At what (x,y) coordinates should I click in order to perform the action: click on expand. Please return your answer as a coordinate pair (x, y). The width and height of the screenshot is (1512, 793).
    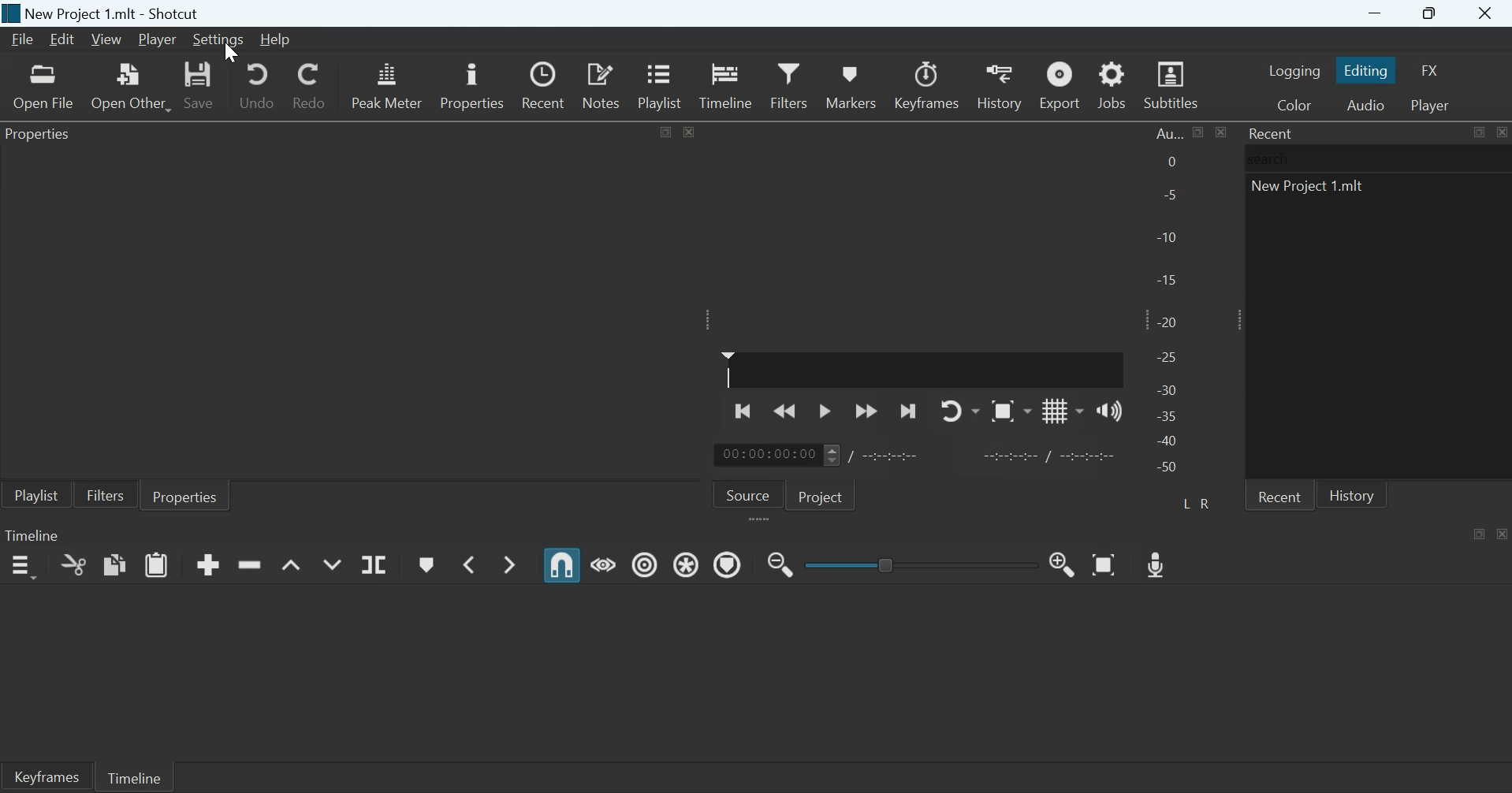
    Looking at the image, I should click on (762, 520).